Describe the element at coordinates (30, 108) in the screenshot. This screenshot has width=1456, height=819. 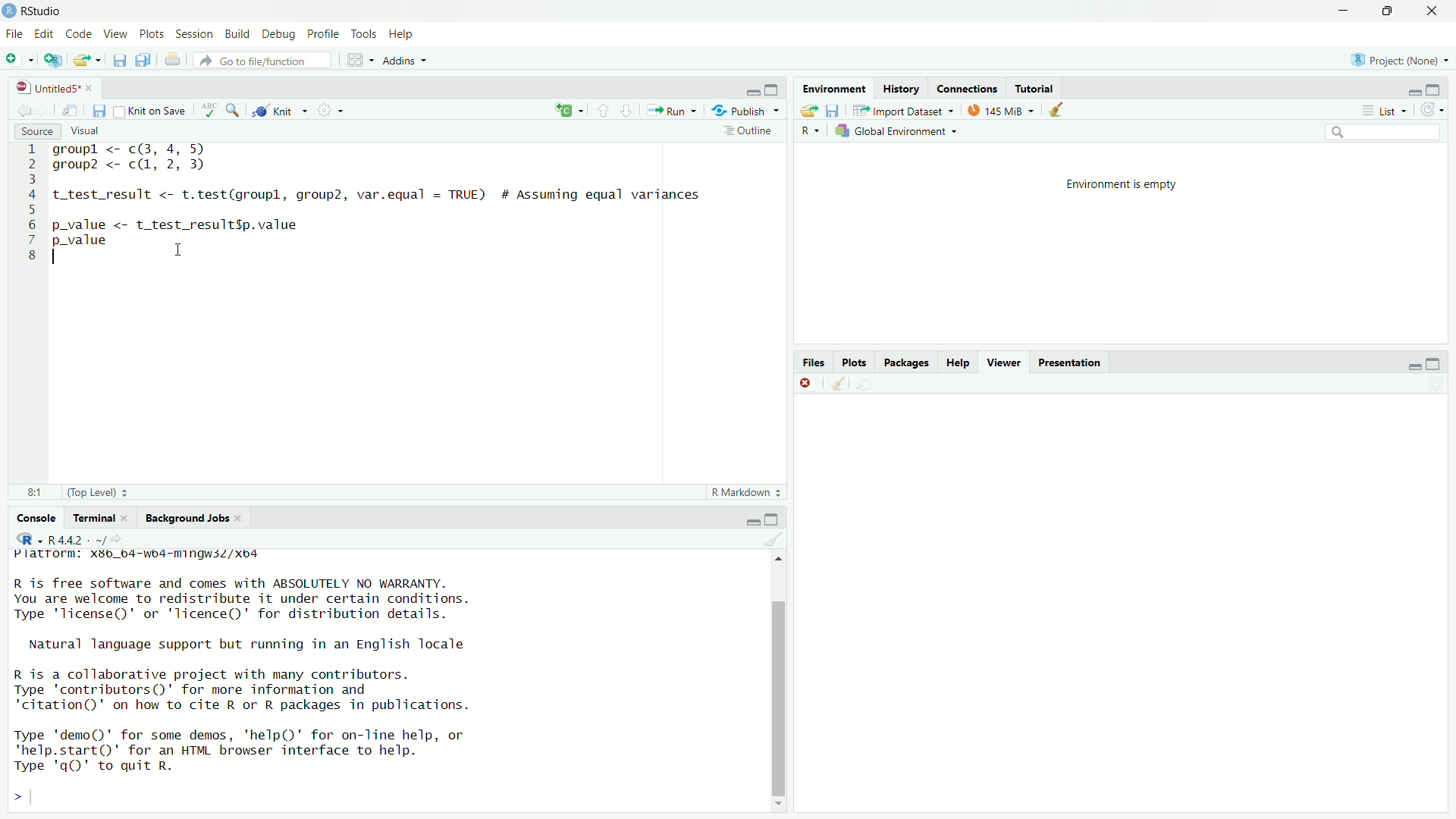
I see `go back` at that location.